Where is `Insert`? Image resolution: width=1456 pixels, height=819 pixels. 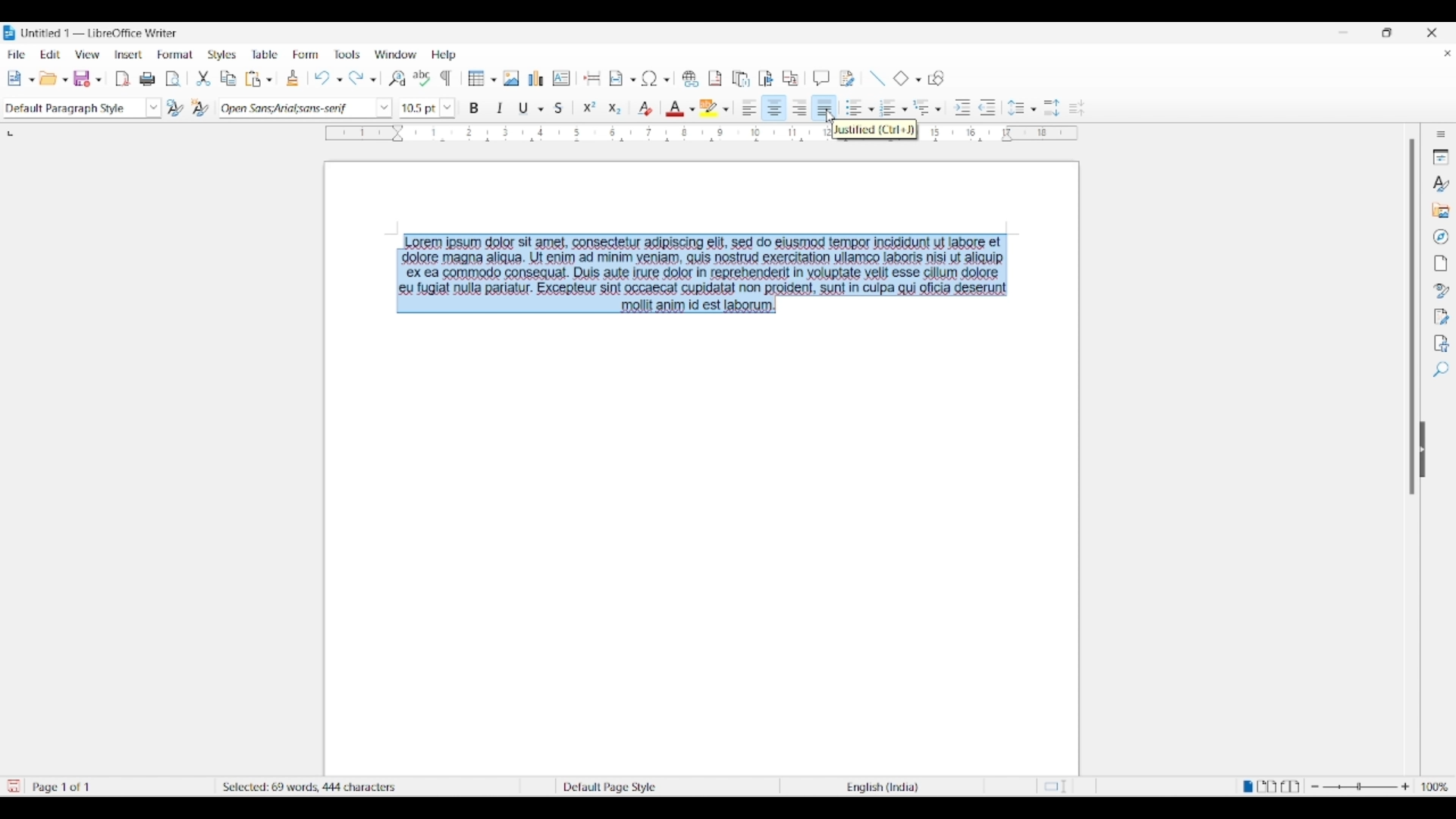 Insert is located at coordinates (129, 54).